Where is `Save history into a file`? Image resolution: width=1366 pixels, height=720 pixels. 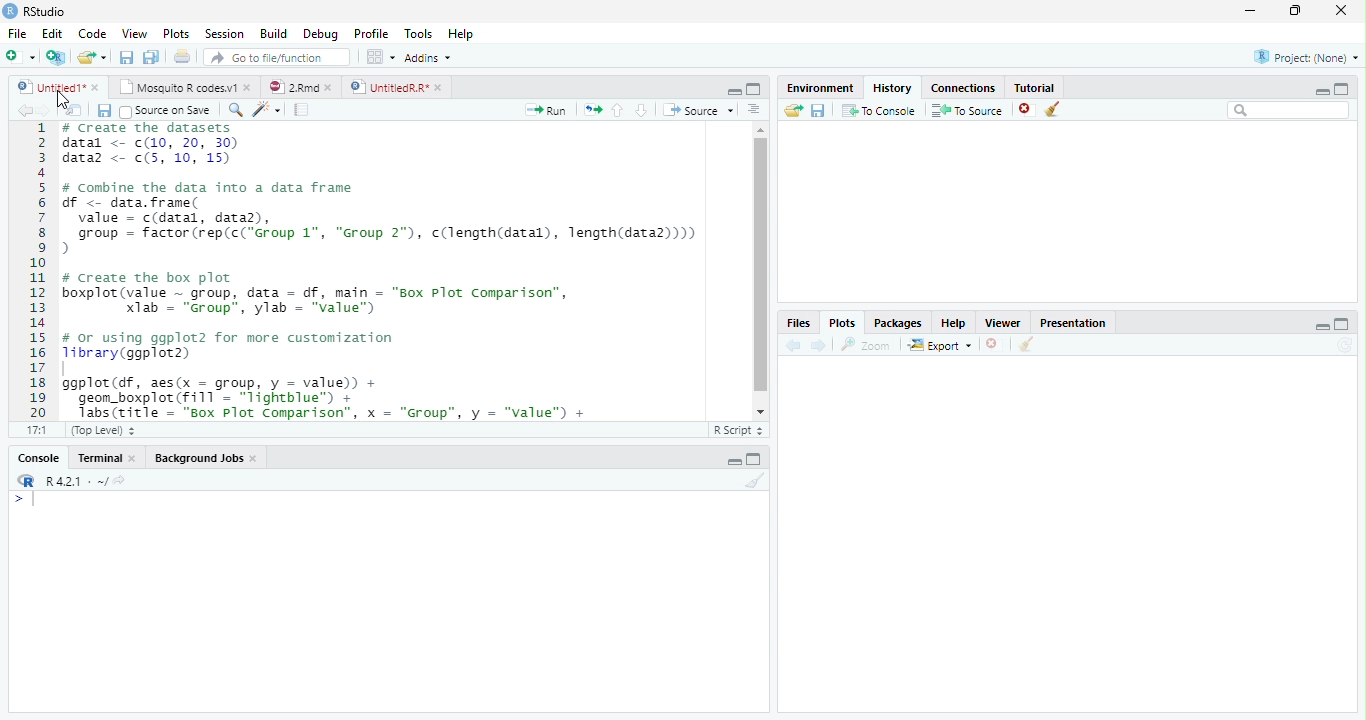
Save history into a file is located at coordinates (819, 110).